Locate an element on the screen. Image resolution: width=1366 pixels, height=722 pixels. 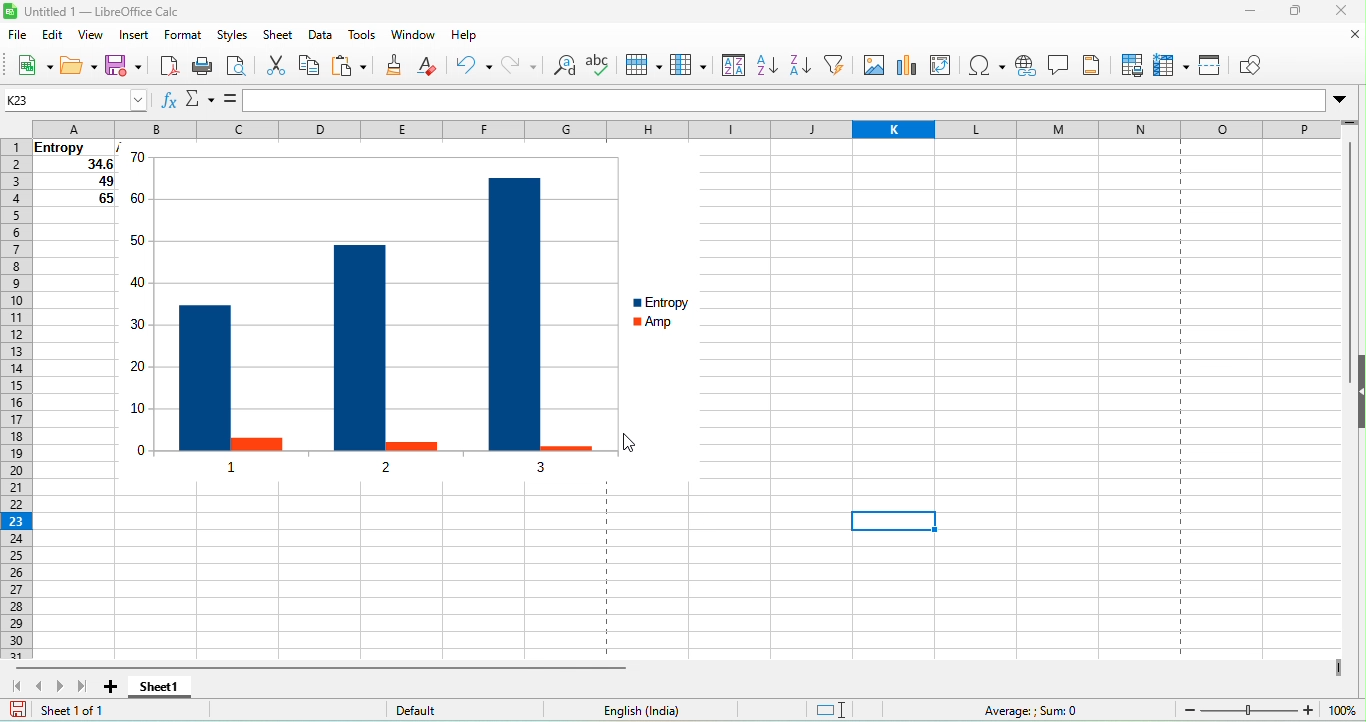
export directly as pdf is located at coordinates (167, 67).